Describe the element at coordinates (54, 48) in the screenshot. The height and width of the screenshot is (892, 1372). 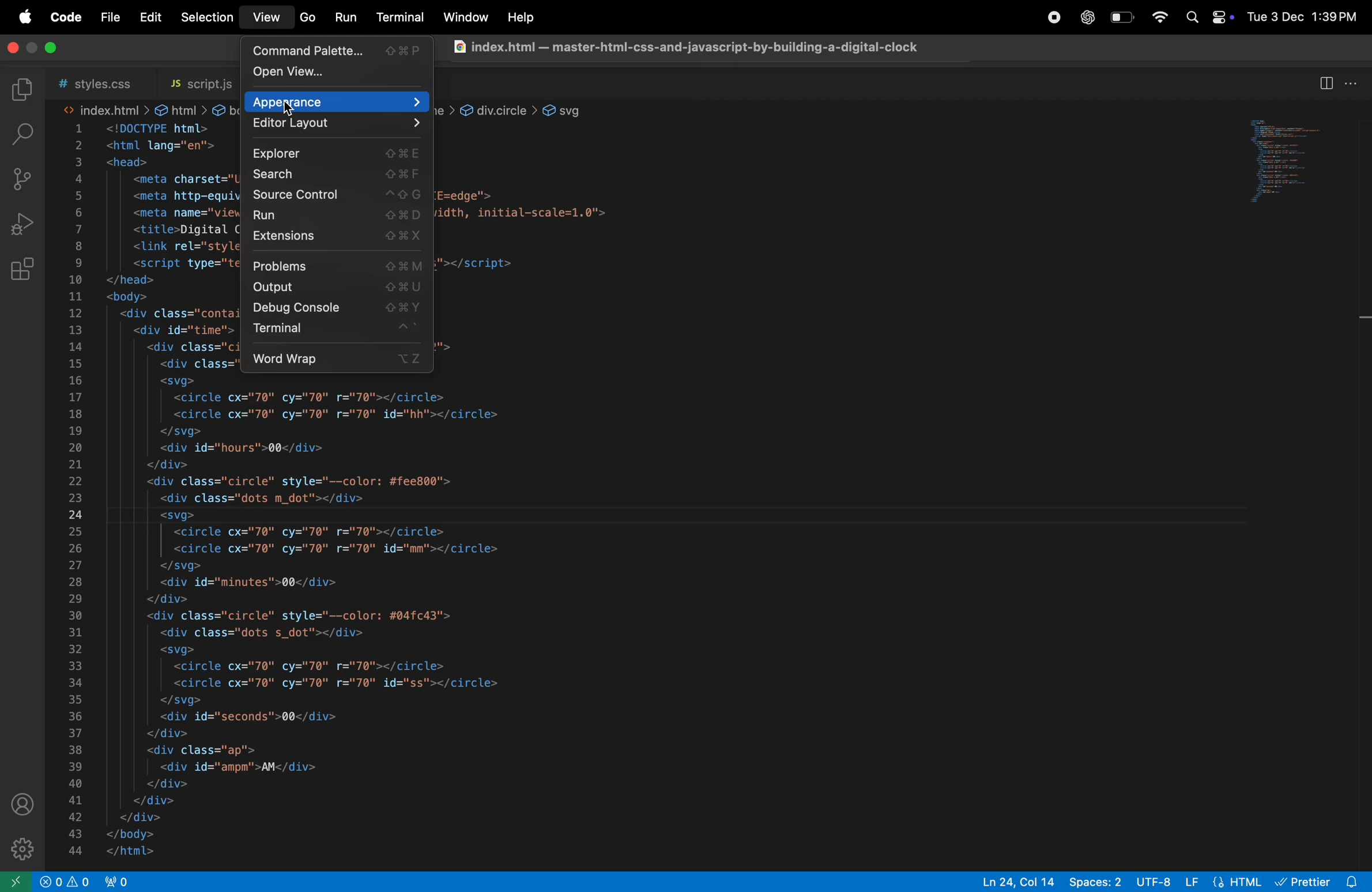
I see `maximize` at that location.